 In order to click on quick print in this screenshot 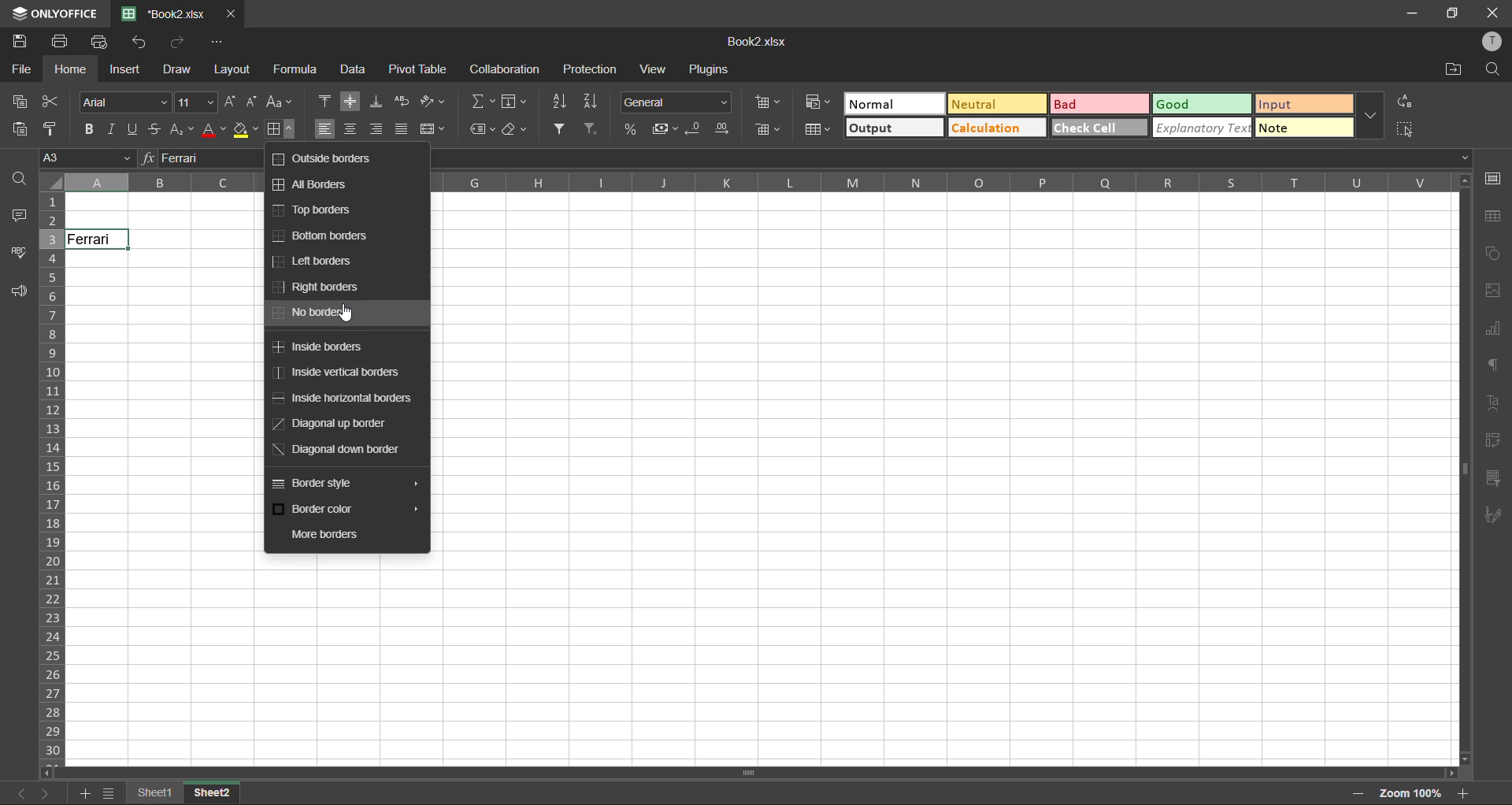, I will do `click(99, 43)`.